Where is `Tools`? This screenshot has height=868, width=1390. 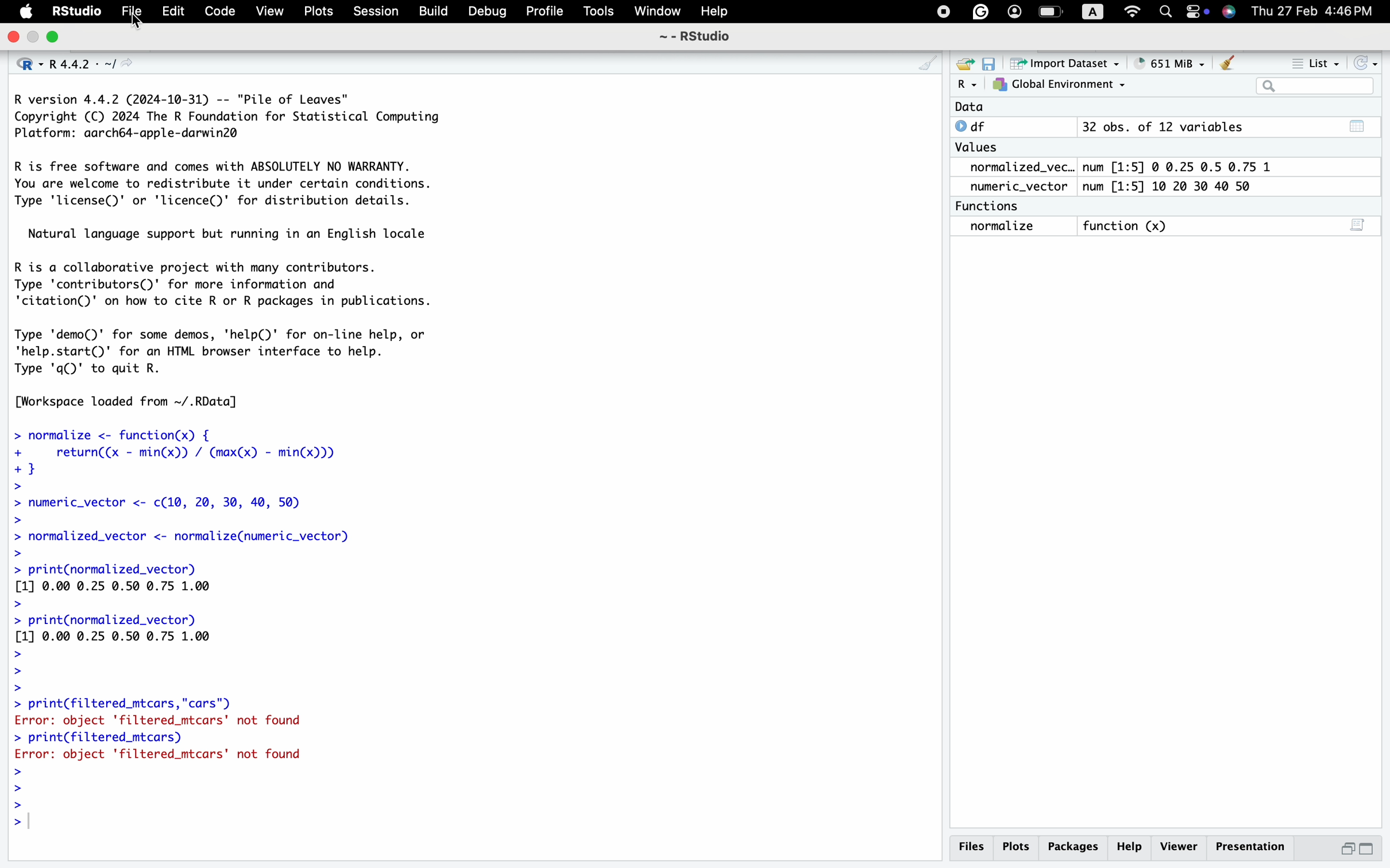
Tools is located at coordinates (598, 13).